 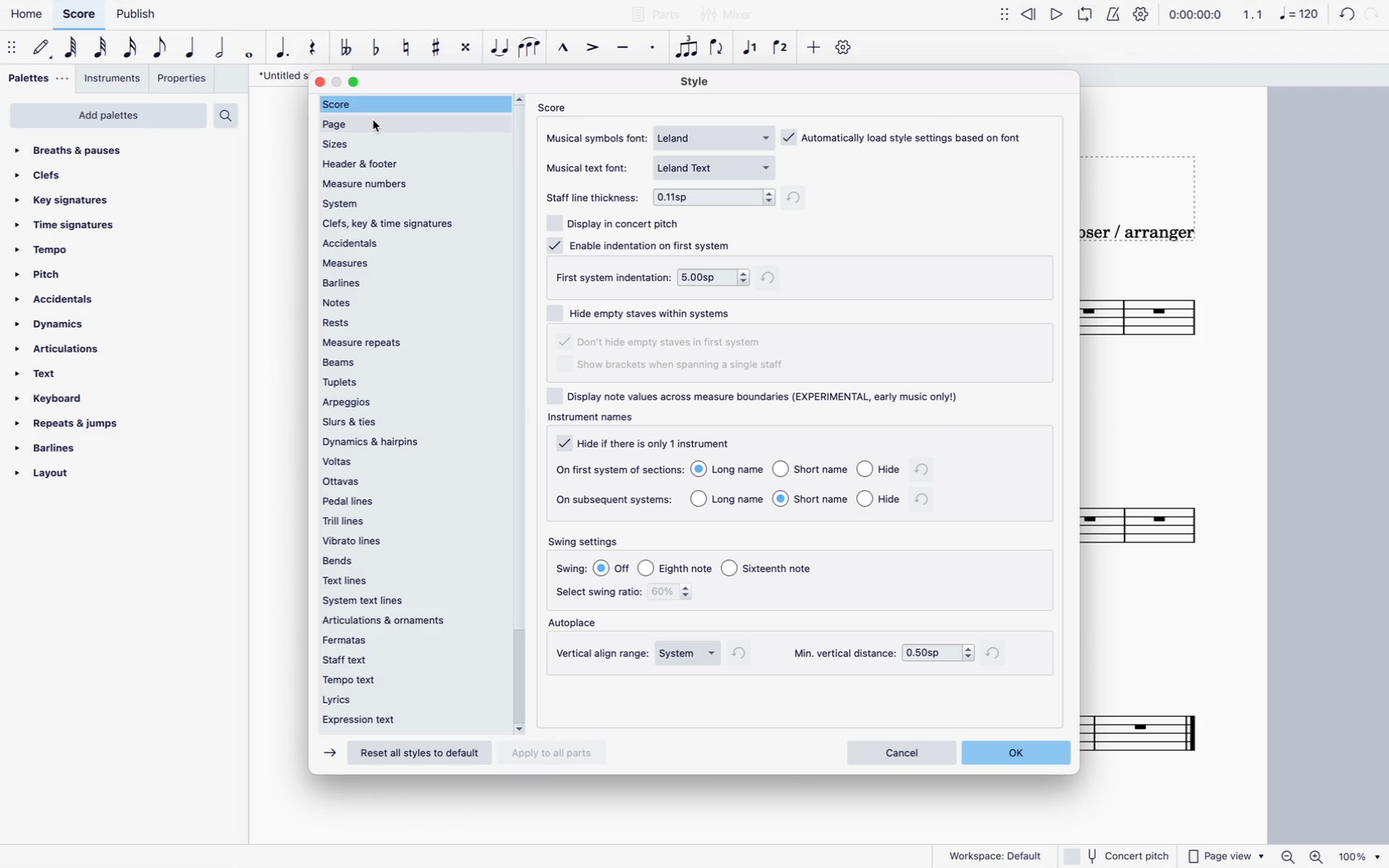 I want to click on barlines, so click(x=49, y=448).